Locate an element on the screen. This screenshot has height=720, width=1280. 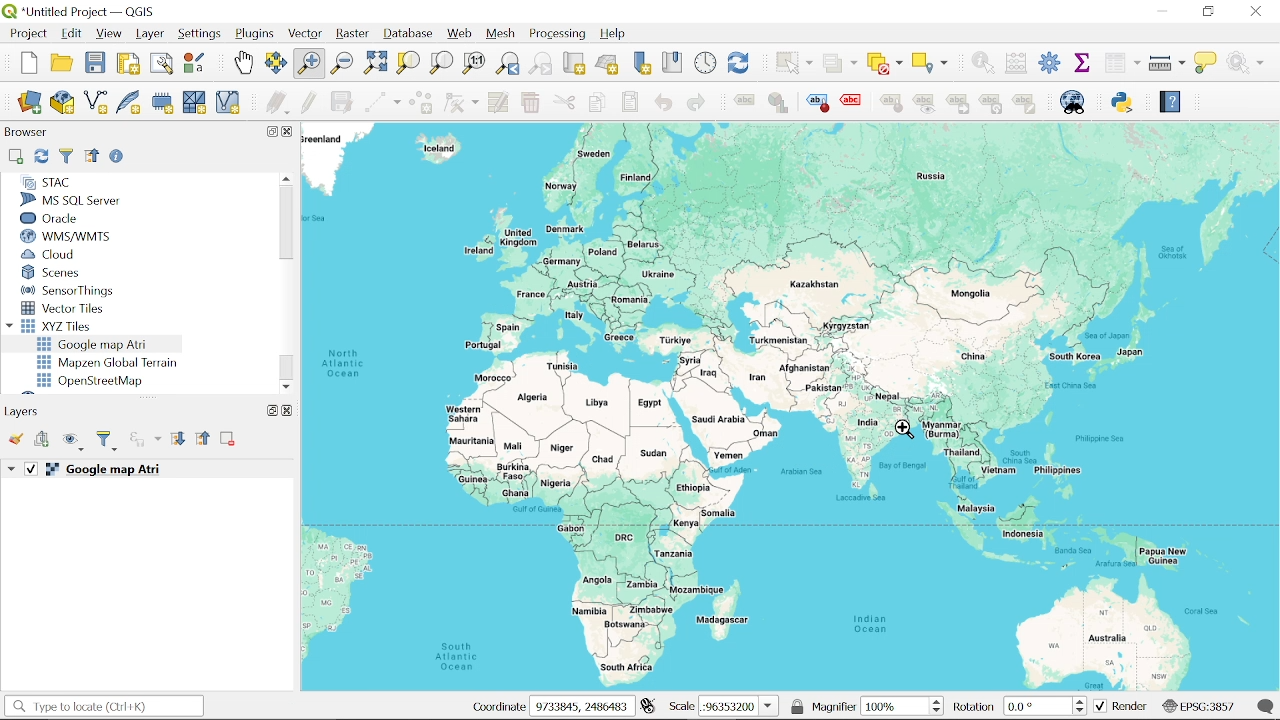
Run feature action is located at coordinates (1251, 62).